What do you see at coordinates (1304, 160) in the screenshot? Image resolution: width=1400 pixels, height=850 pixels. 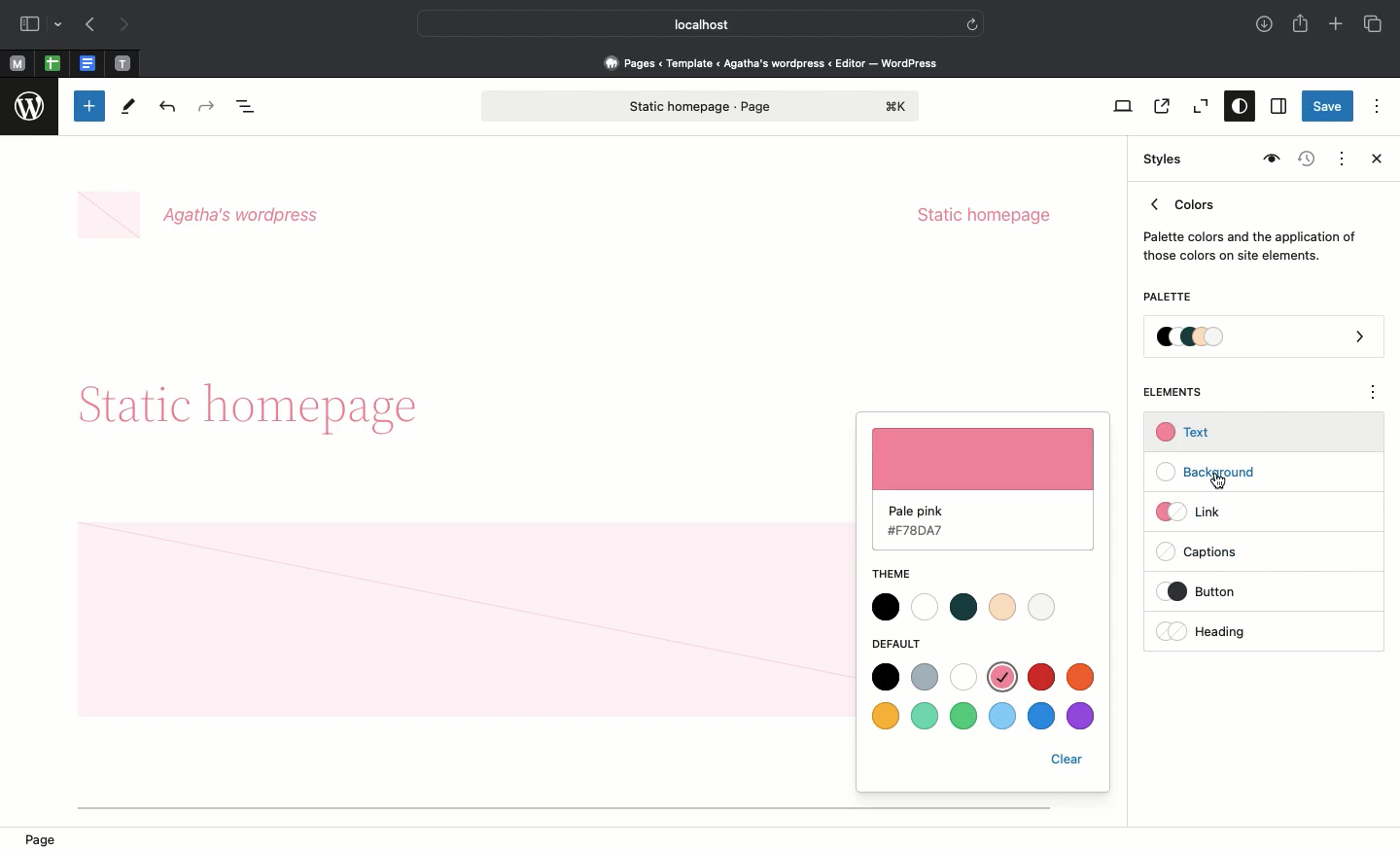 I see `Revisions` at bounding box center [1304, 160].